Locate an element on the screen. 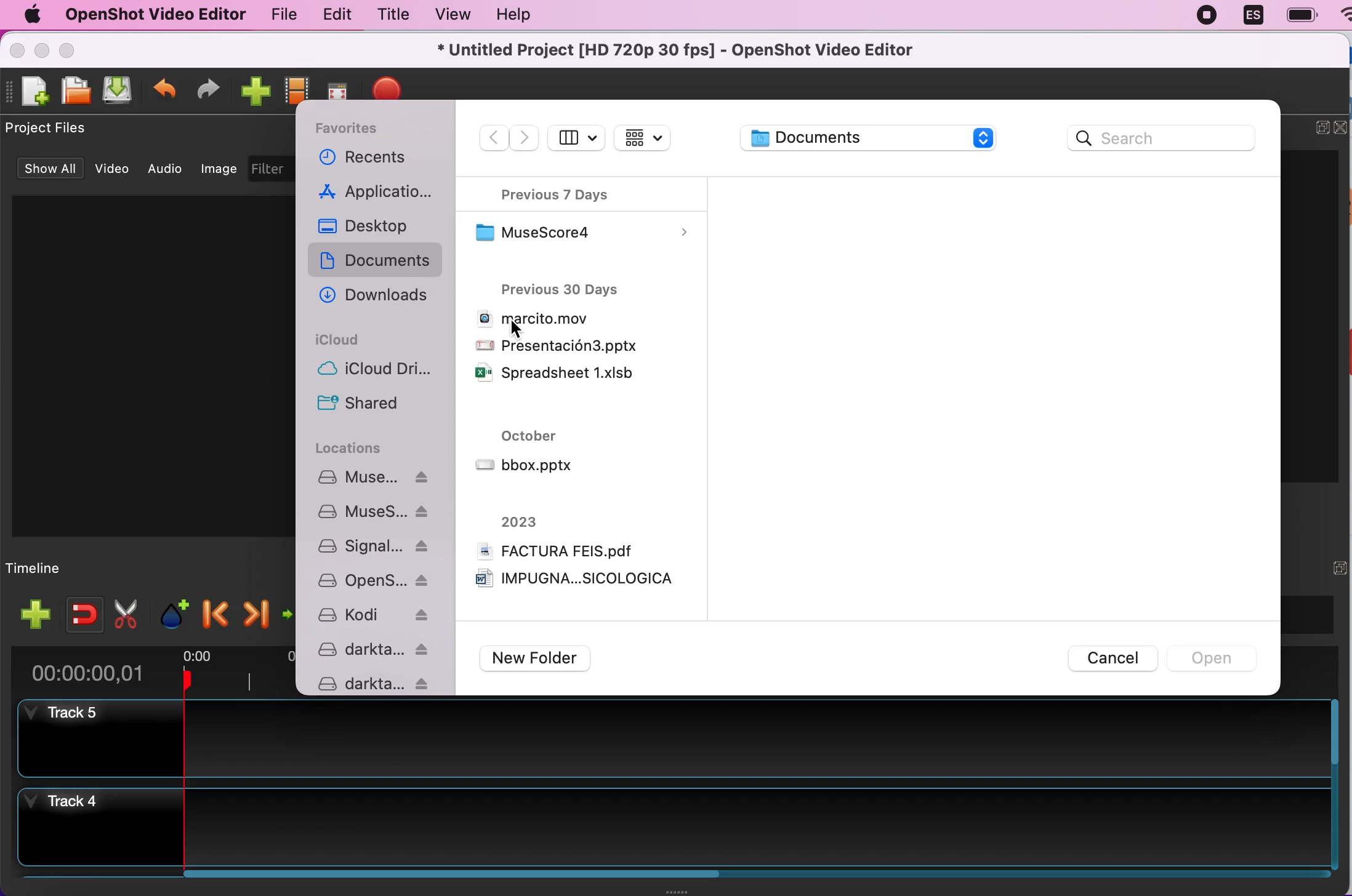  new file is located at coordinates (32, 92).